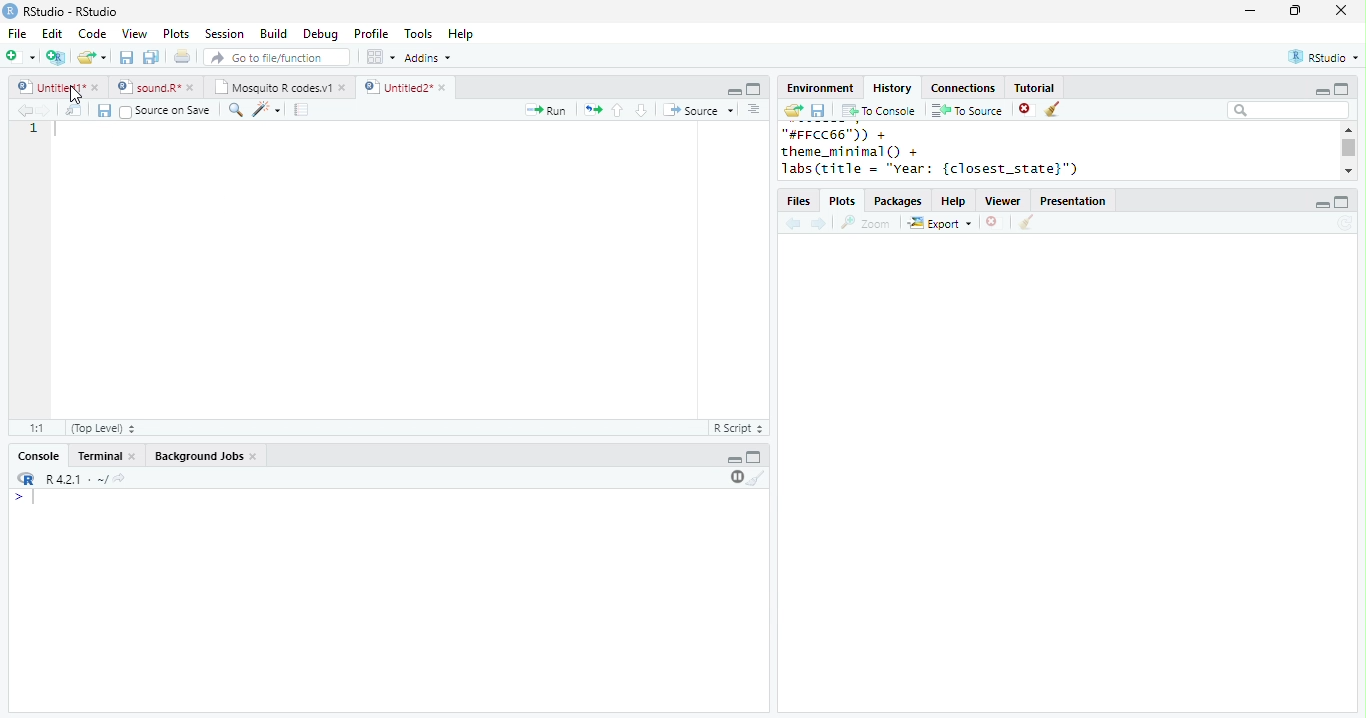 Image resolution: width=1366 pixels, height=718 pixels. I want to click on open folder, so click(792, 110).